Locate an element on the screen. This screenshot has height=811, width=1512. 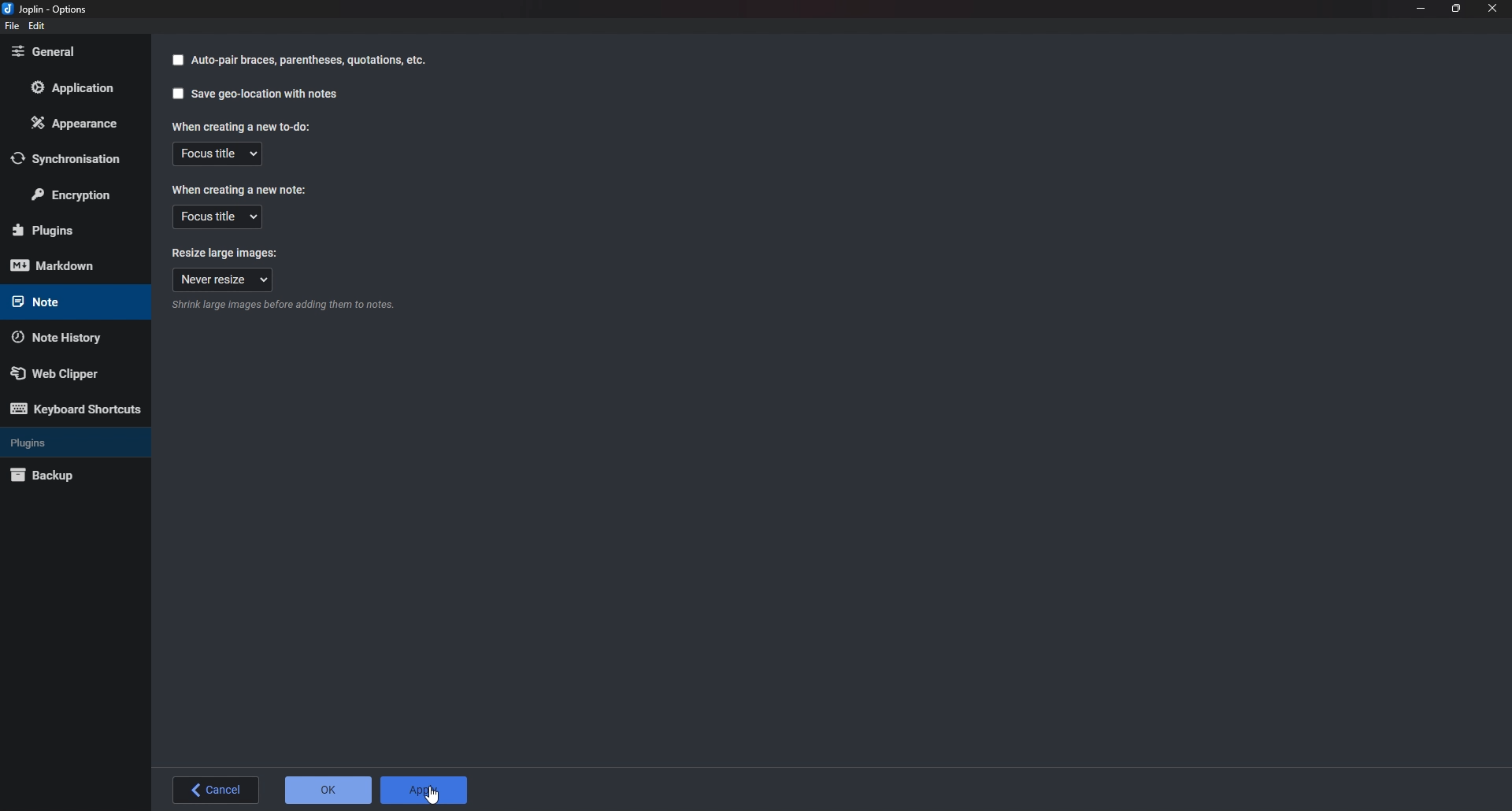
o K is located at coordinates (328, 791).